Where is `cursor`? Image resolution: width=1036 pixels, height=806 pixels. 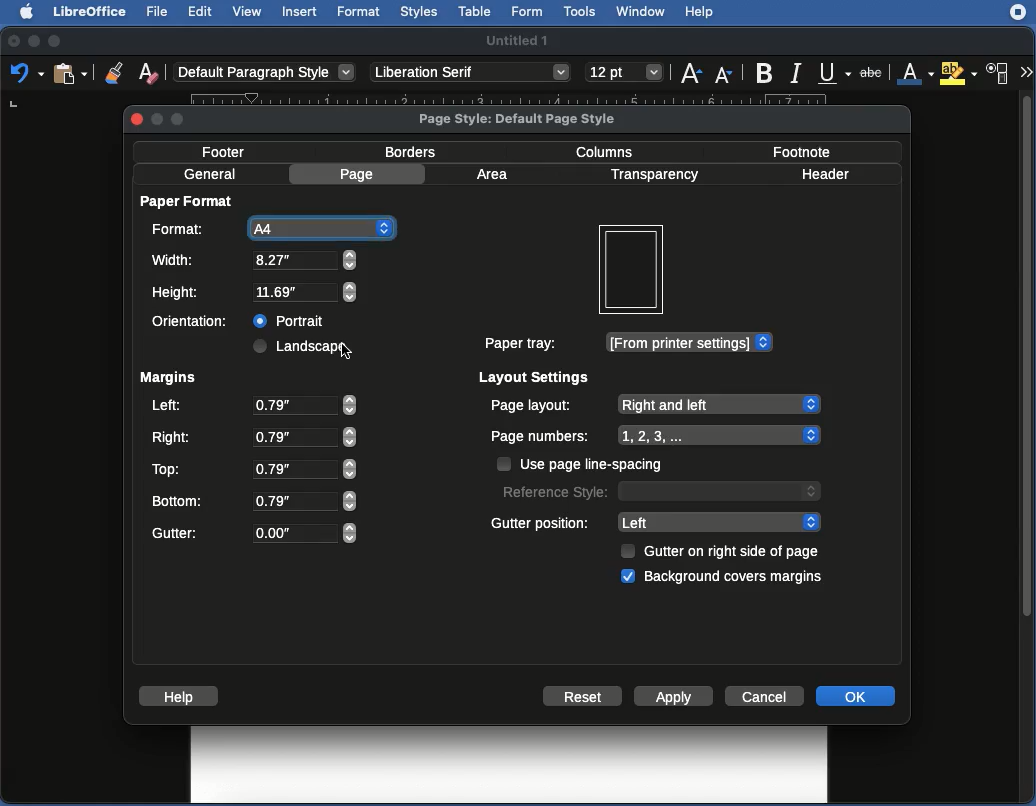
cursor is located at coordinates (347, 351).